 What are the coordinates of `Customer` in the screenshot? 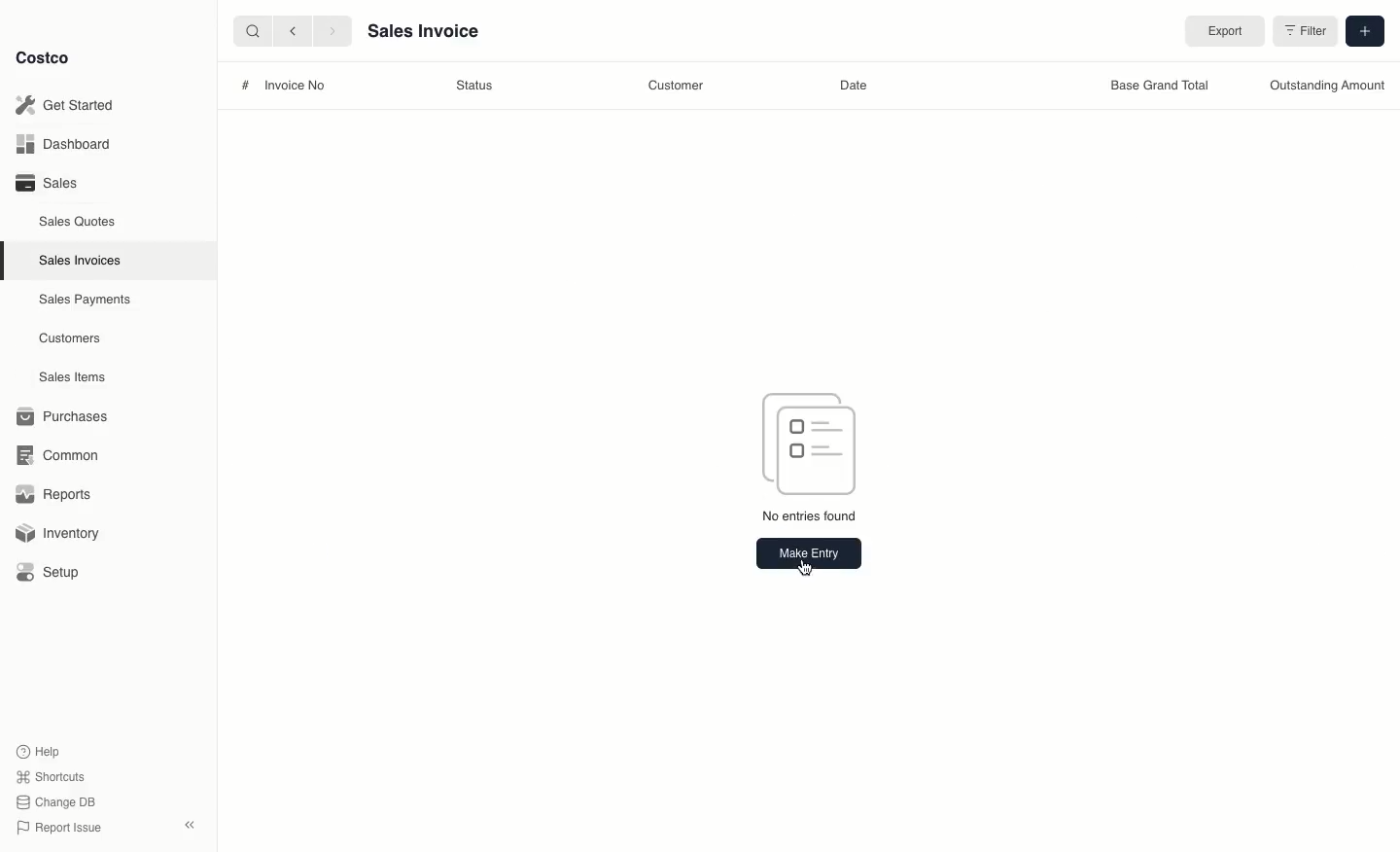 It's located at (679, 83).